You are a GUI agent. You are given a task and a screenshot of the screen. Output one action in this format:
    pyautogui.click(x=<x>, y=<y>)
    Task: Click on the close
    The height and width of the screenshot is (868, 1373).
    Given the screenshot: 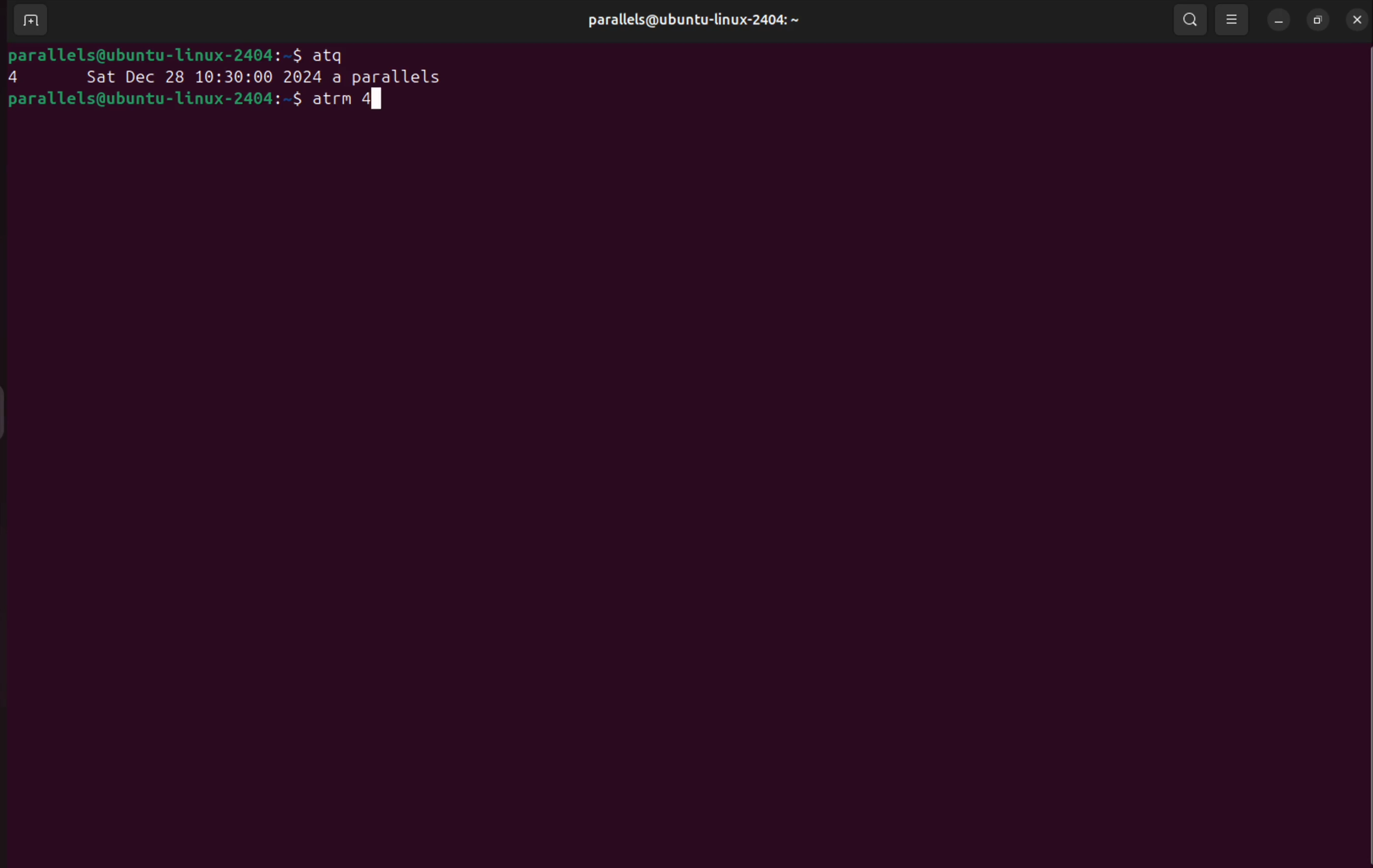 What is the action you would take?
    pyautogui.click(x=1355, y=17)
    